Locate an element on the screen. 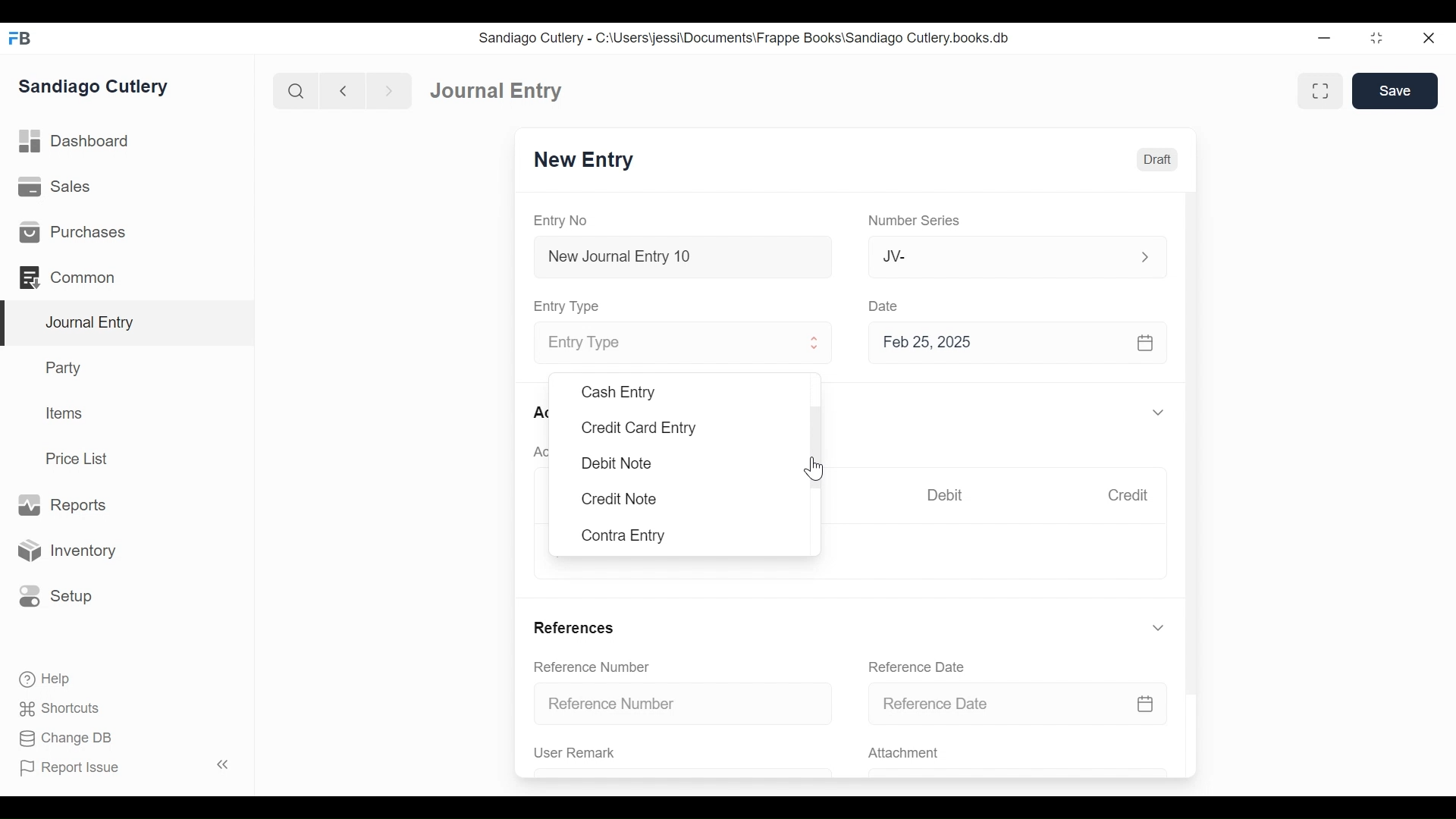 The width and height of the screenshot is (1456, 819). New Entry is located at coordinates (588, 162).